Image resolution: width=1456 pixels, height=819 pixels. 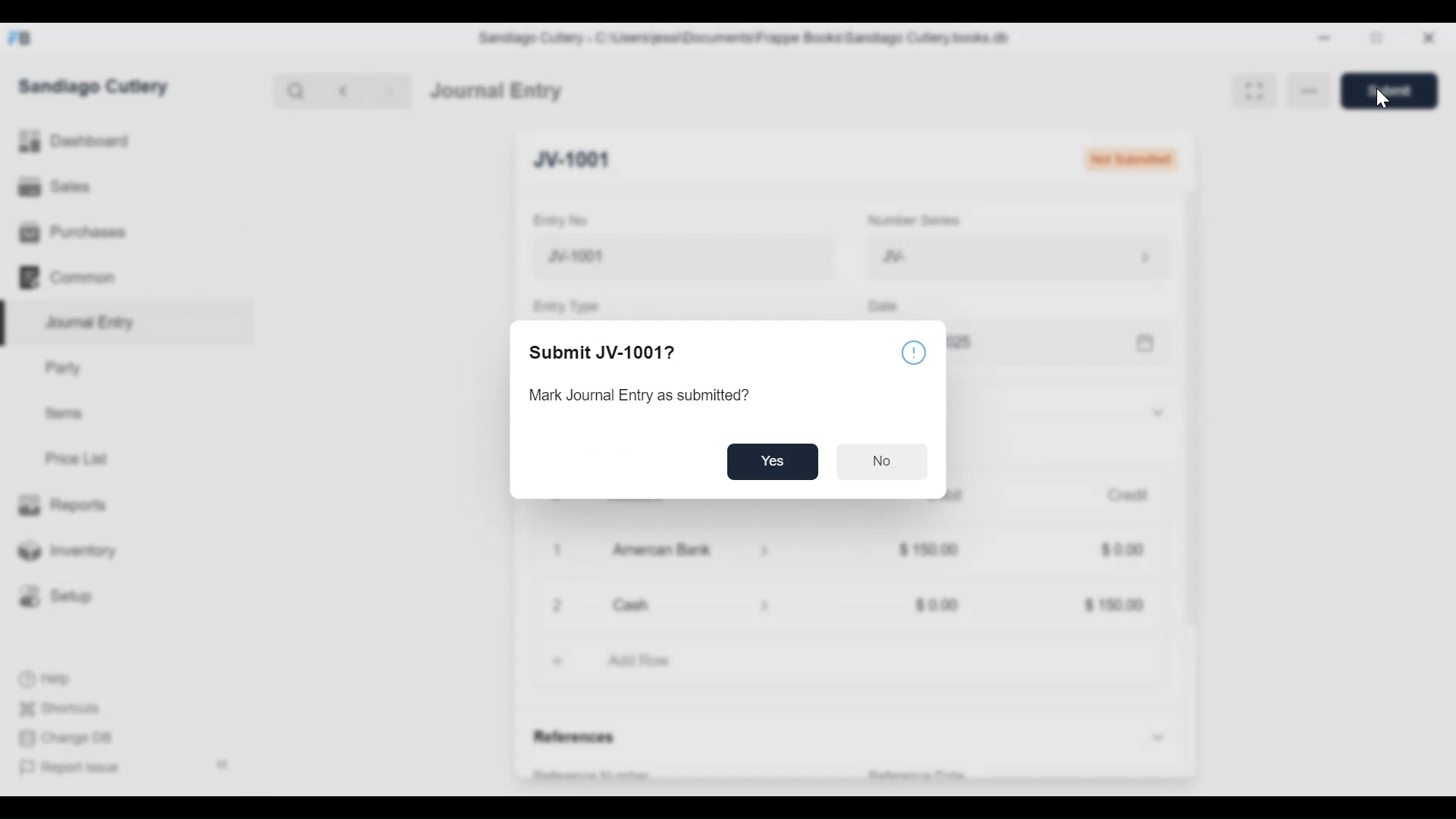 I want to click on information, so click(x=915, y=353).